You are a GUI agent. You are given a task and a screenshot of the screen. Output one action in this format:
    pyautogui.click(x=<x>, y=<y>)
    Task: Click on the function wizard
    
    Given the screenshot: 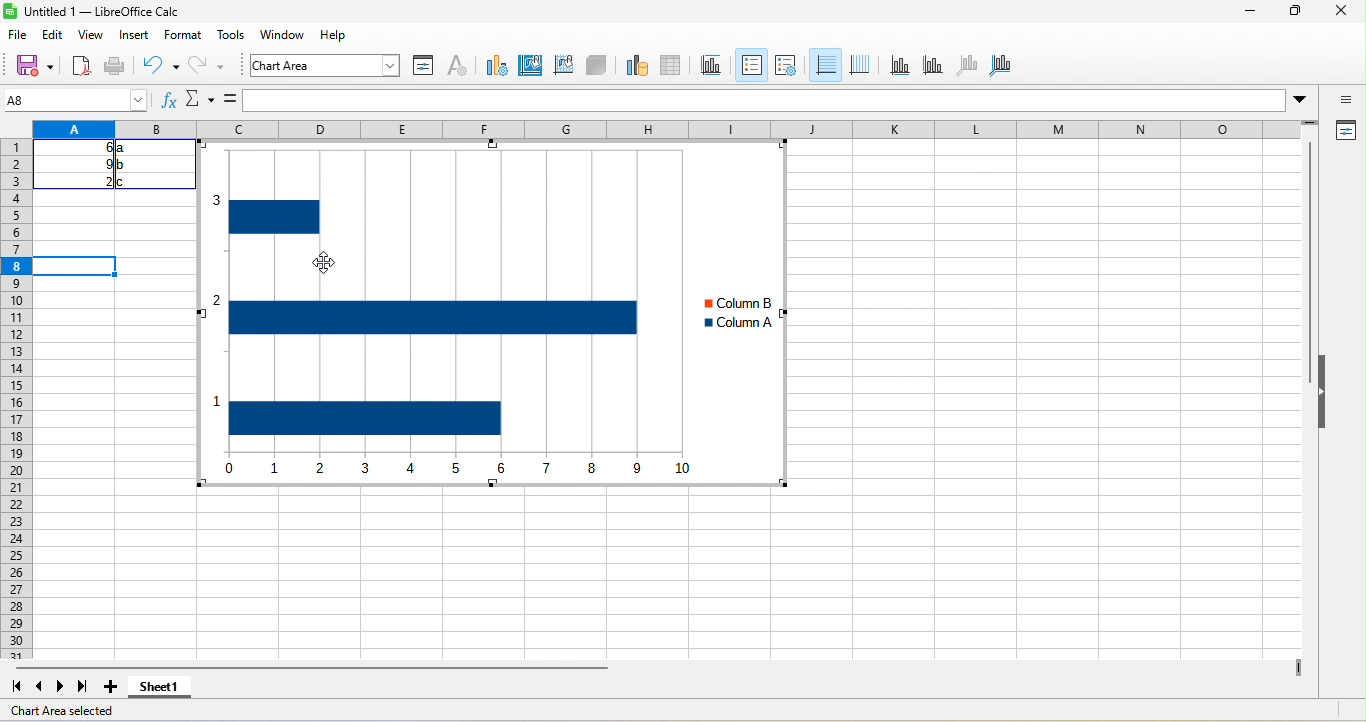 What is the action you would take?
    pyautogui.click(x=170, y=104)
    